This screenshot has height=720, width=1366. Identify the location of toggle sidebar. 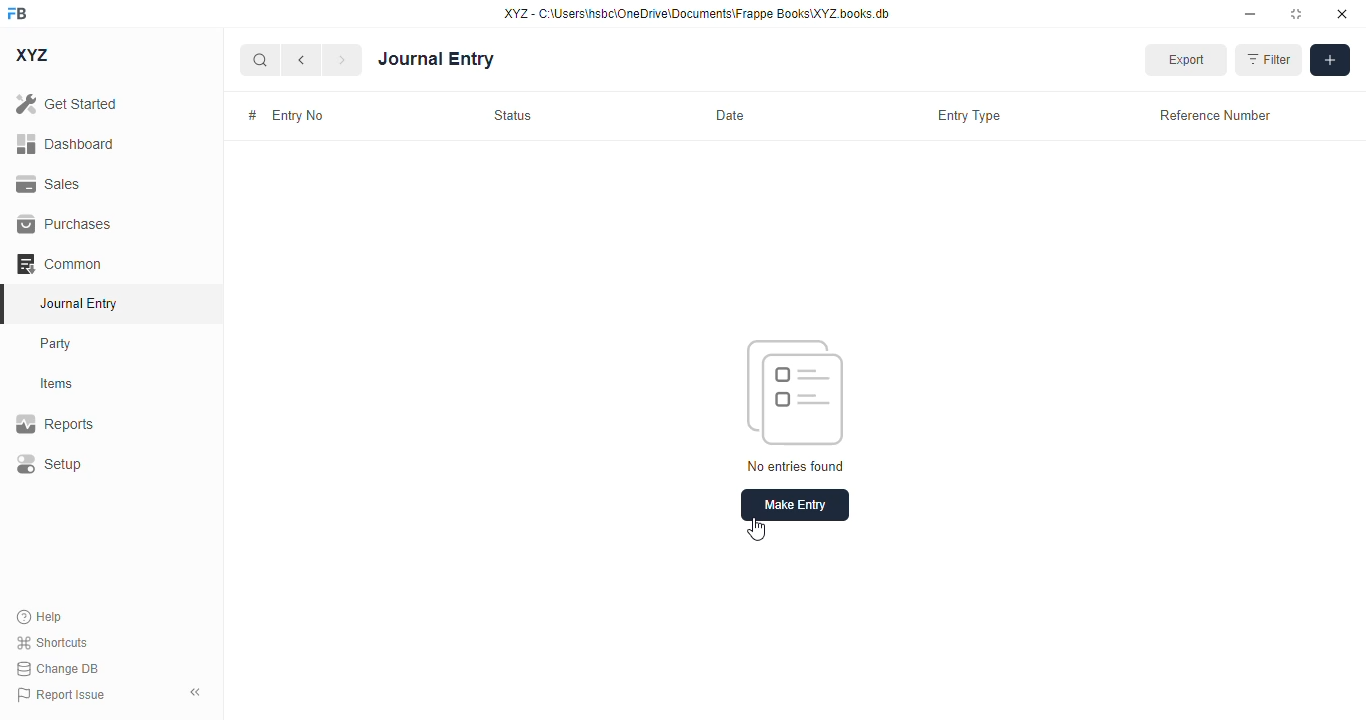
(197, 692).